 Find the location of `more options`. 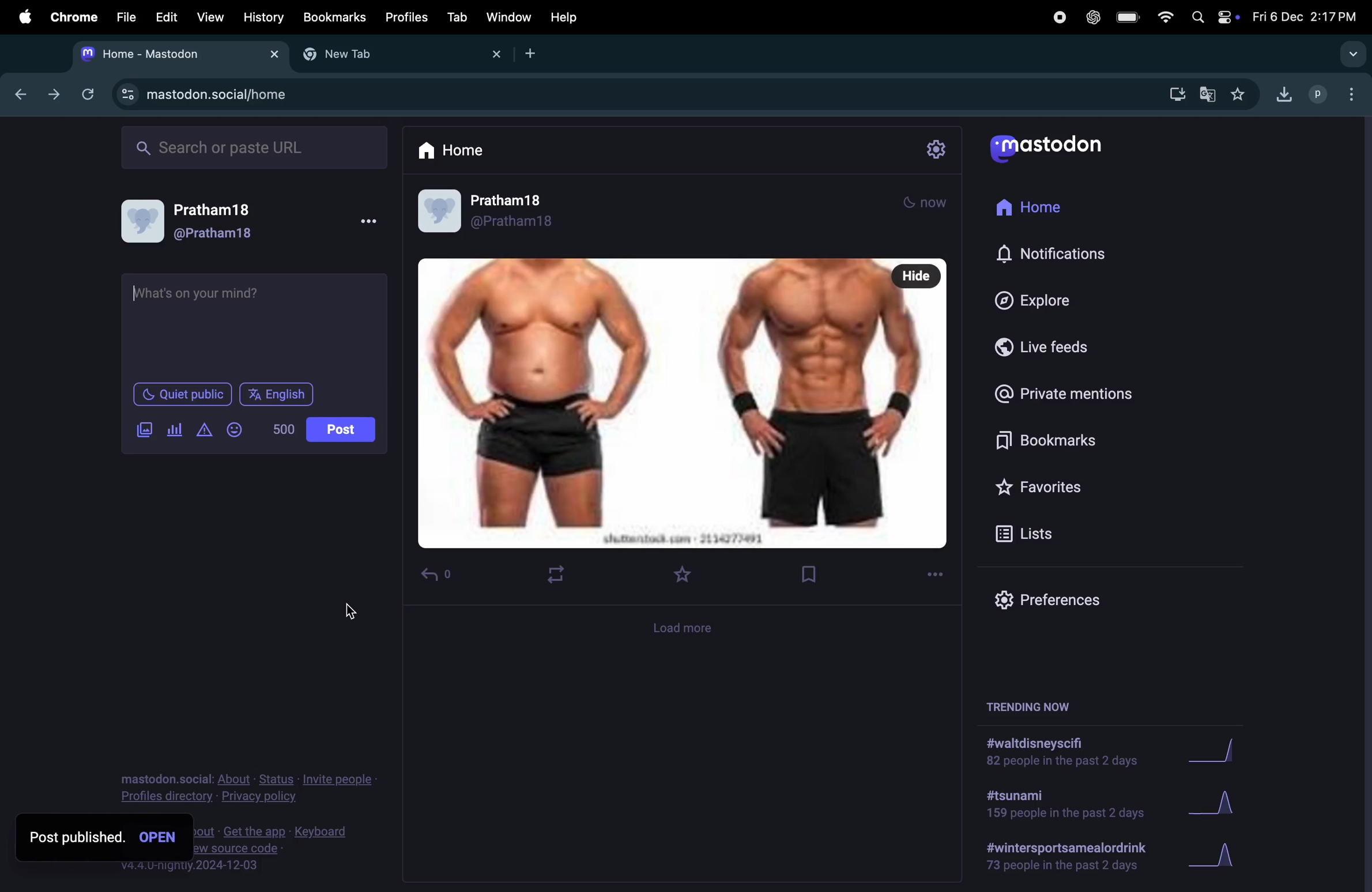

more options is located at coordinates (936, 577).